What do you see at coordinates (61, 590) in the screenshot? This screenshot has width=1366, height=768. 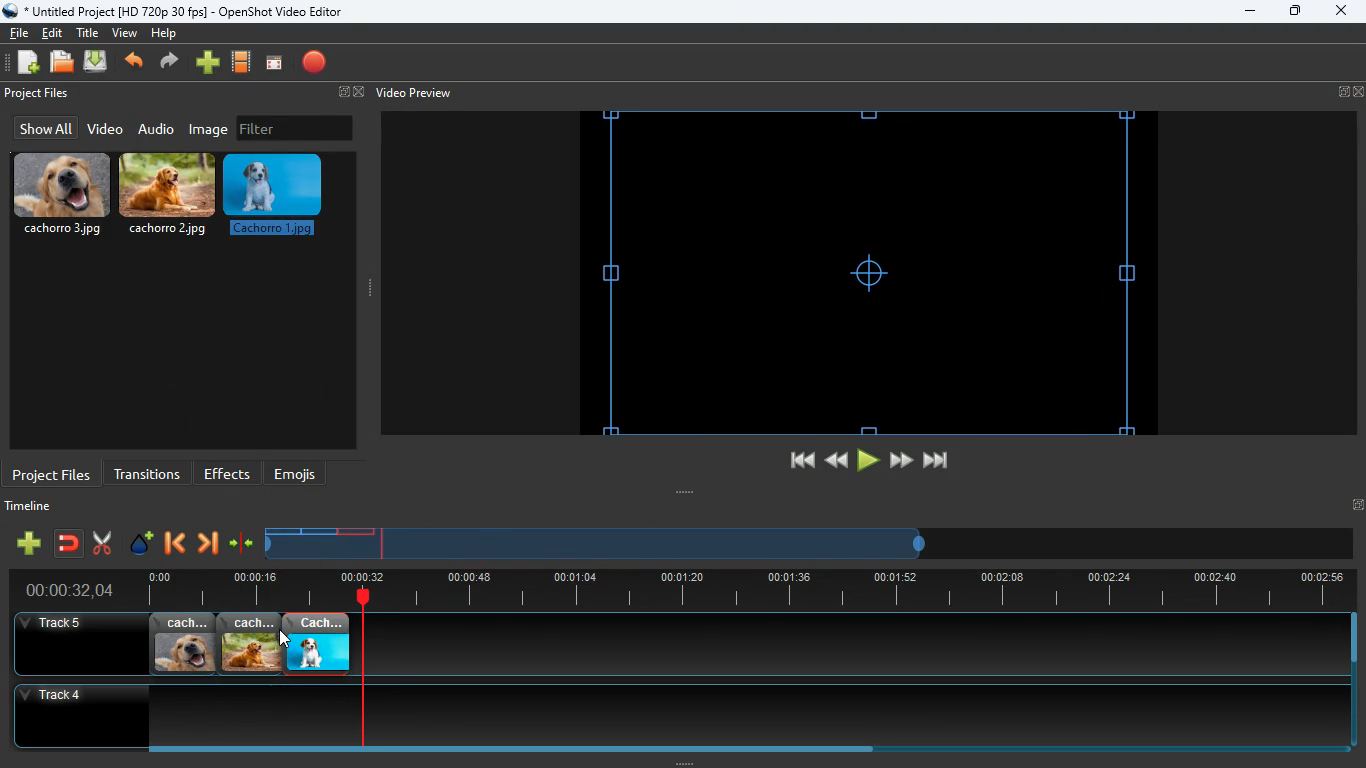 I see `time` at bounding box center [61, 590].